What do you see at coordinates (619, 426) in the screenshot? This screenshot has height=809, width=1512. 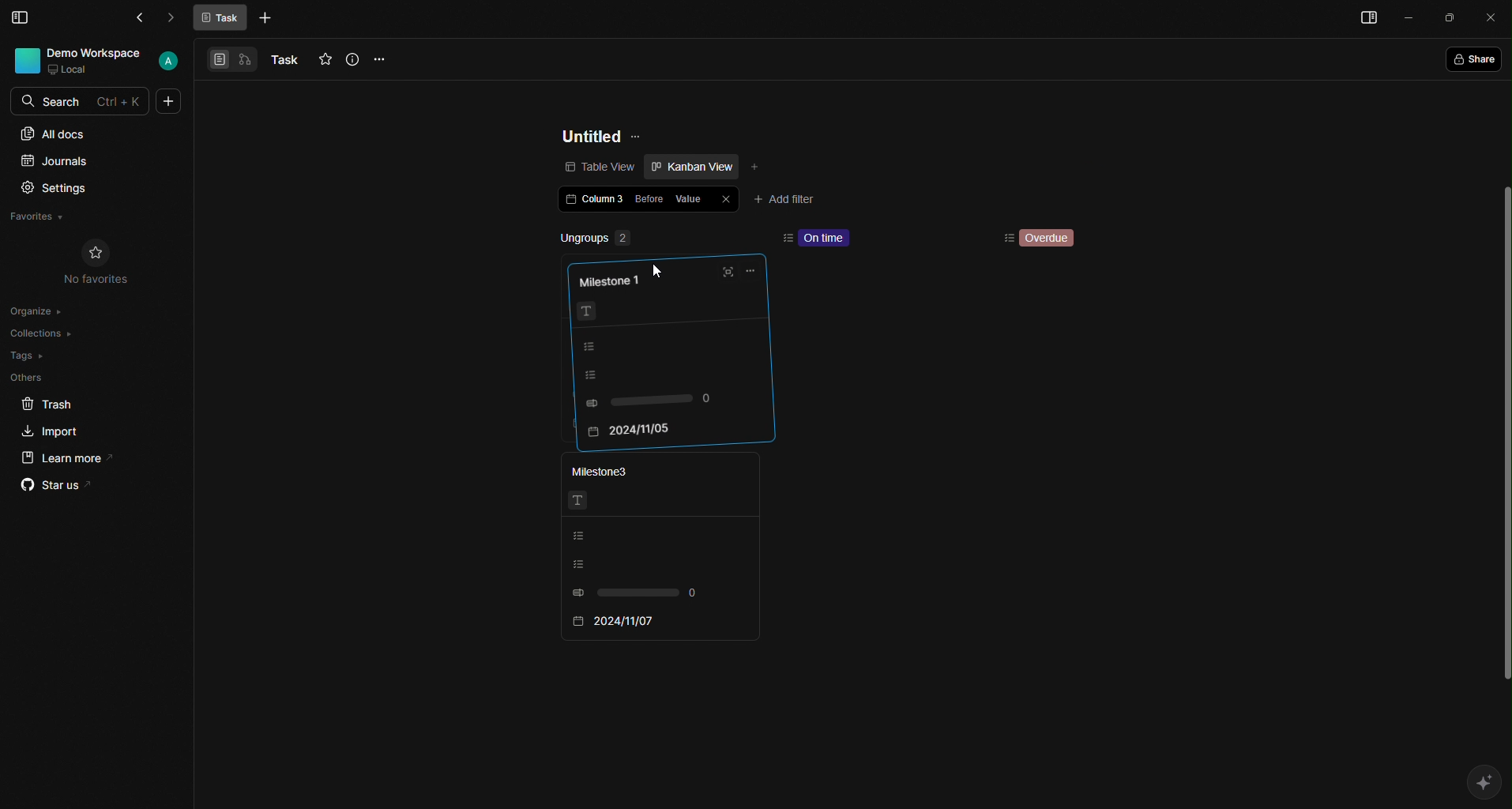 I see `2024/11/05` at bounding box center [619, 426].